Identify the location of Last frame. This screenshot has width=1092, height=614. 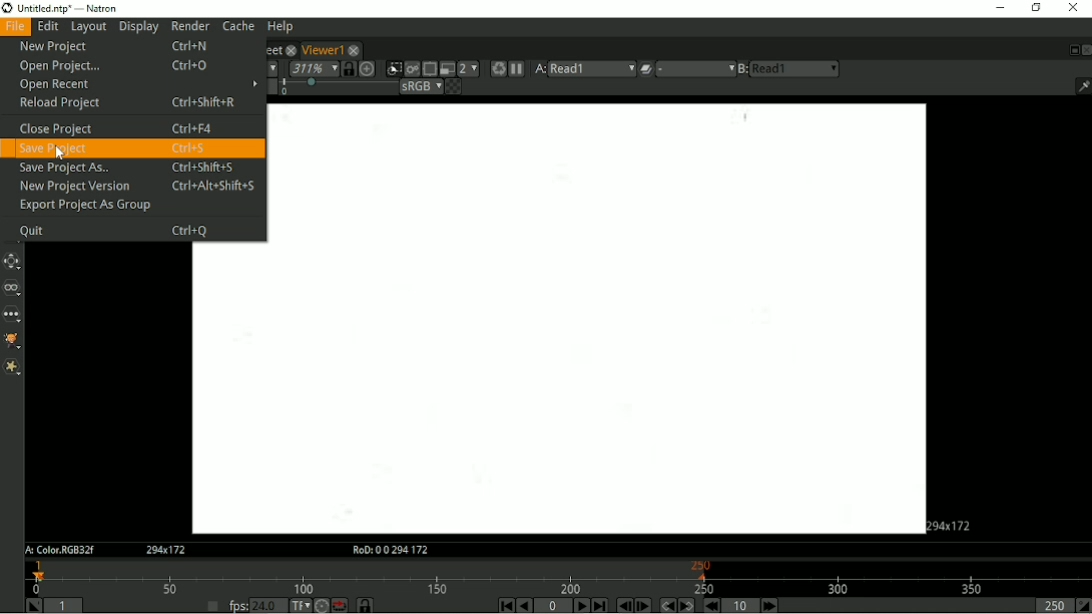
(599, 605).